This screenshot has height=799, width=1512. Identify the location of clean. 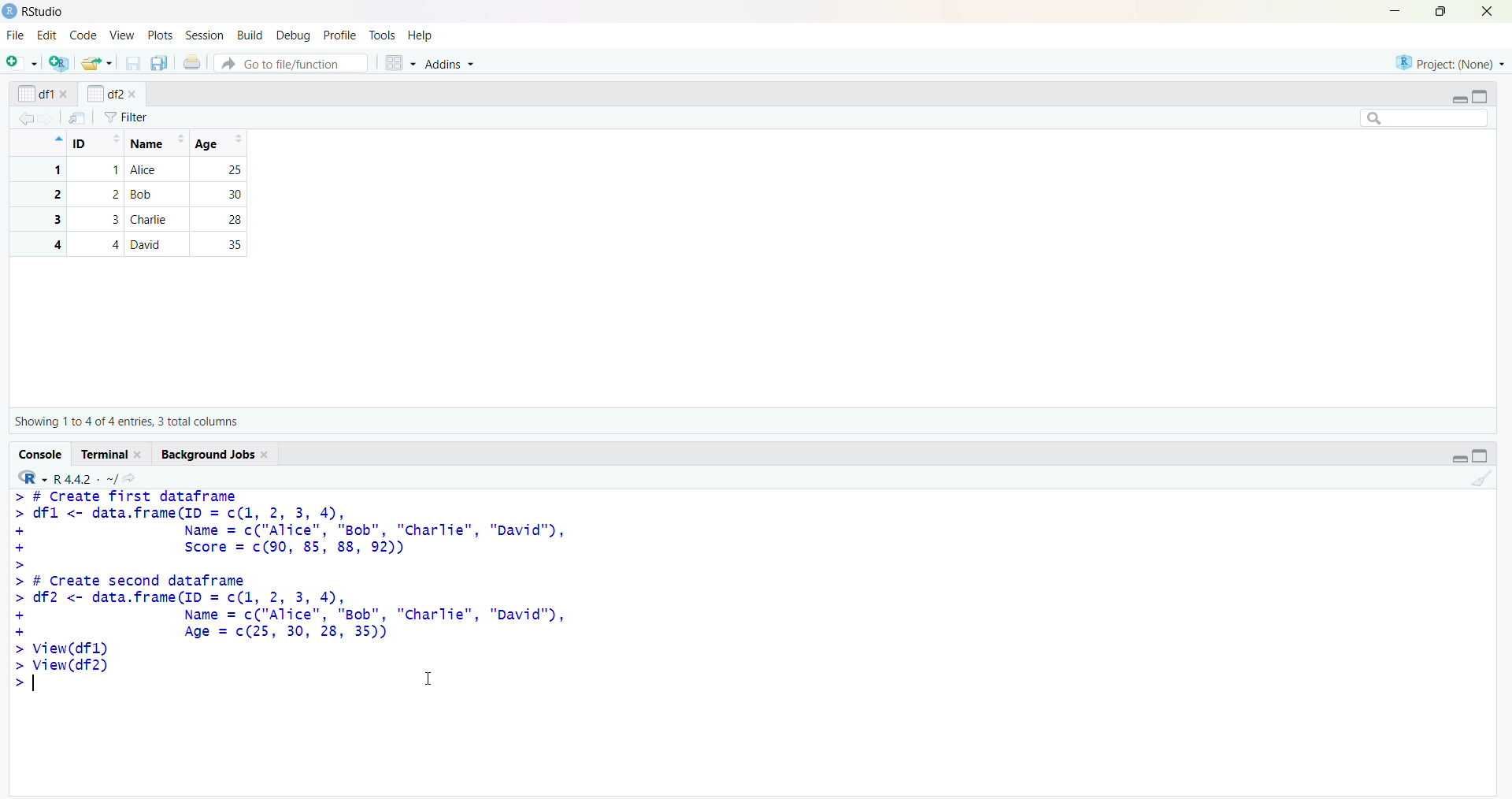
(1483, 479).